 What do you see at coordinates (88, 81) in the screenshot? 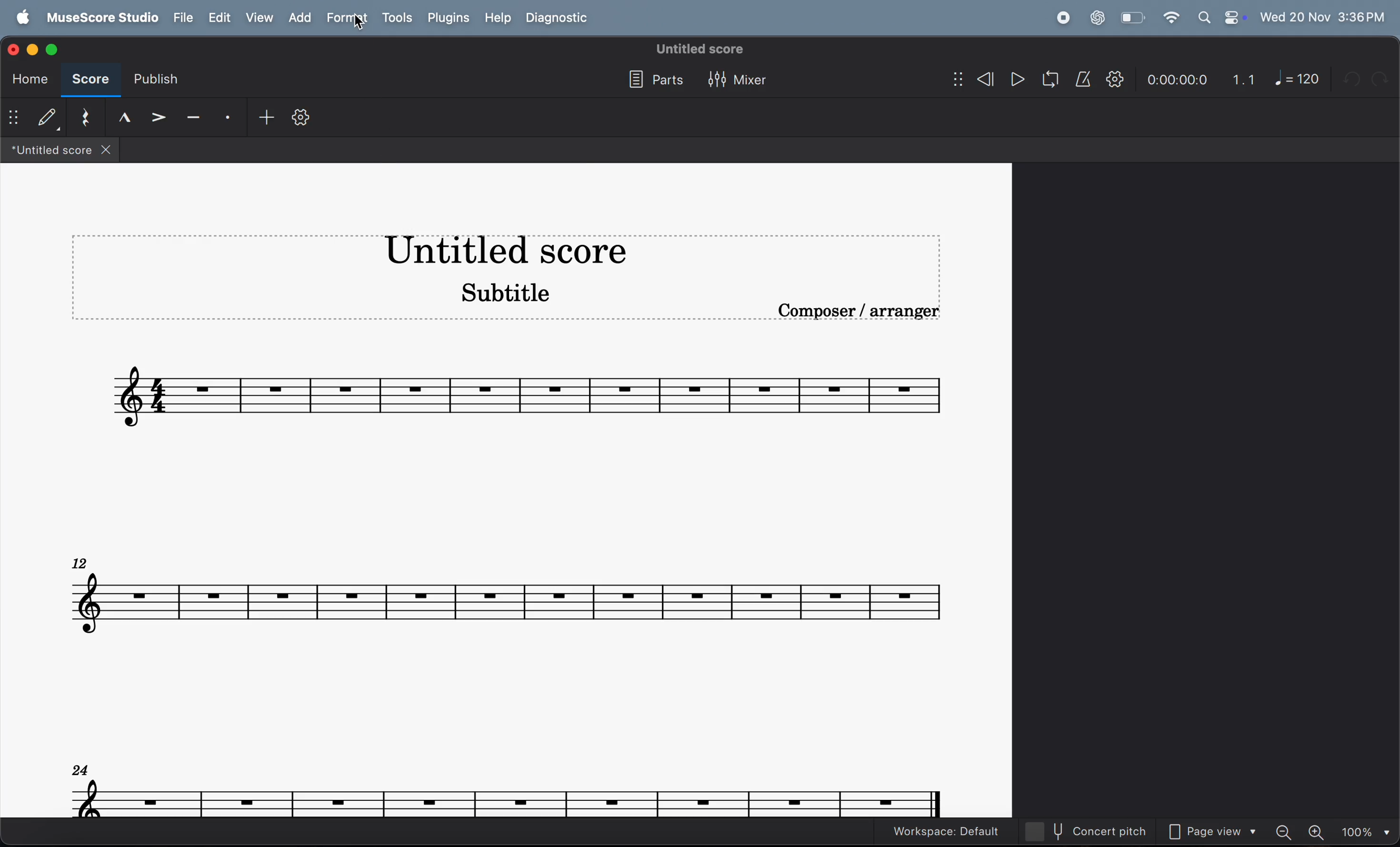
I see `score` at bounding box center [88, 81].